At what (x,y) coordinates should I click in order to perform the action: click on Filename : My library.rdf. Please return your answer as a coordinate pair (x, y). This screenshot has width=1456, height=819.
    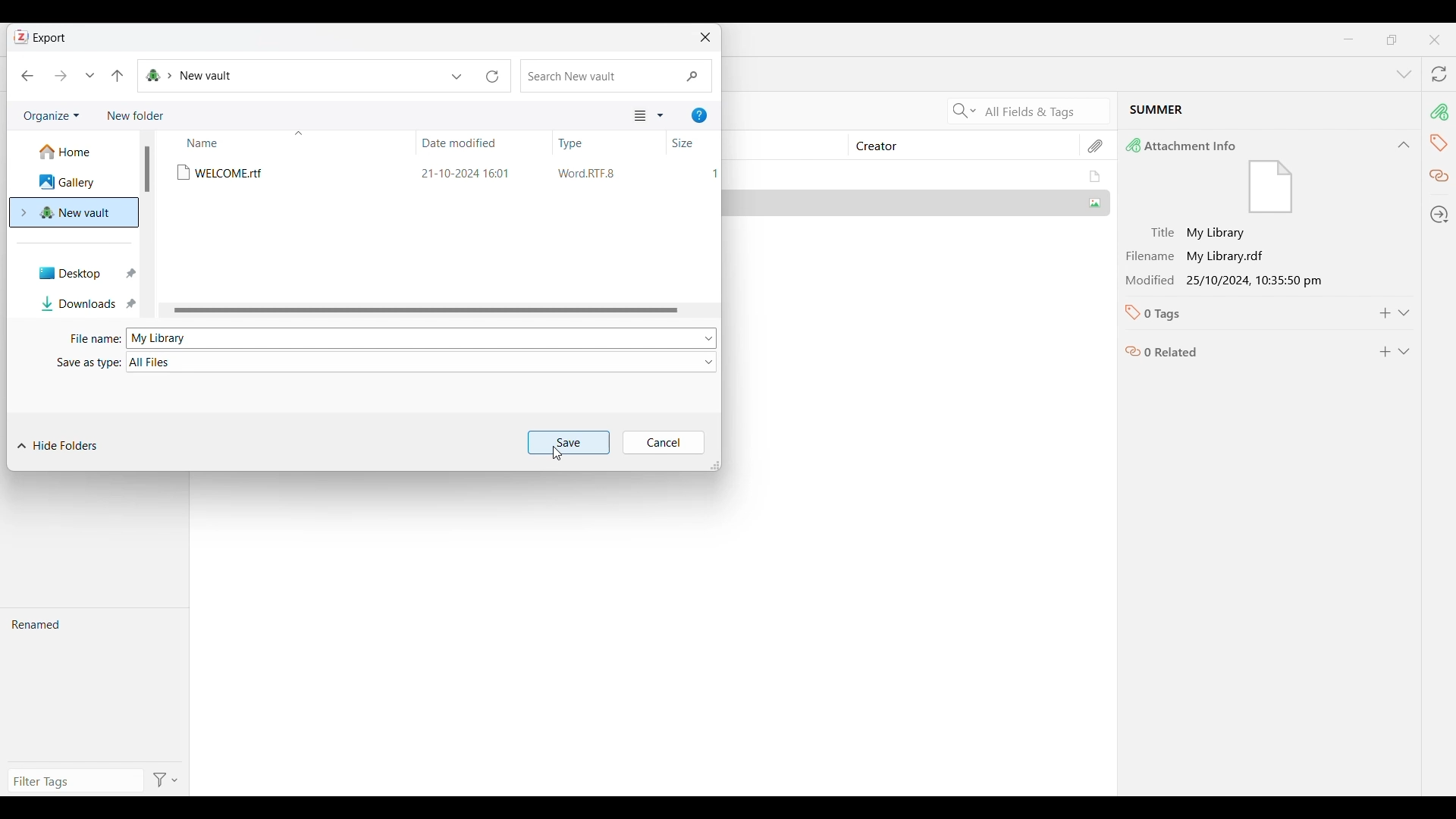
    Looking at the image, I should click on (1241, 256).